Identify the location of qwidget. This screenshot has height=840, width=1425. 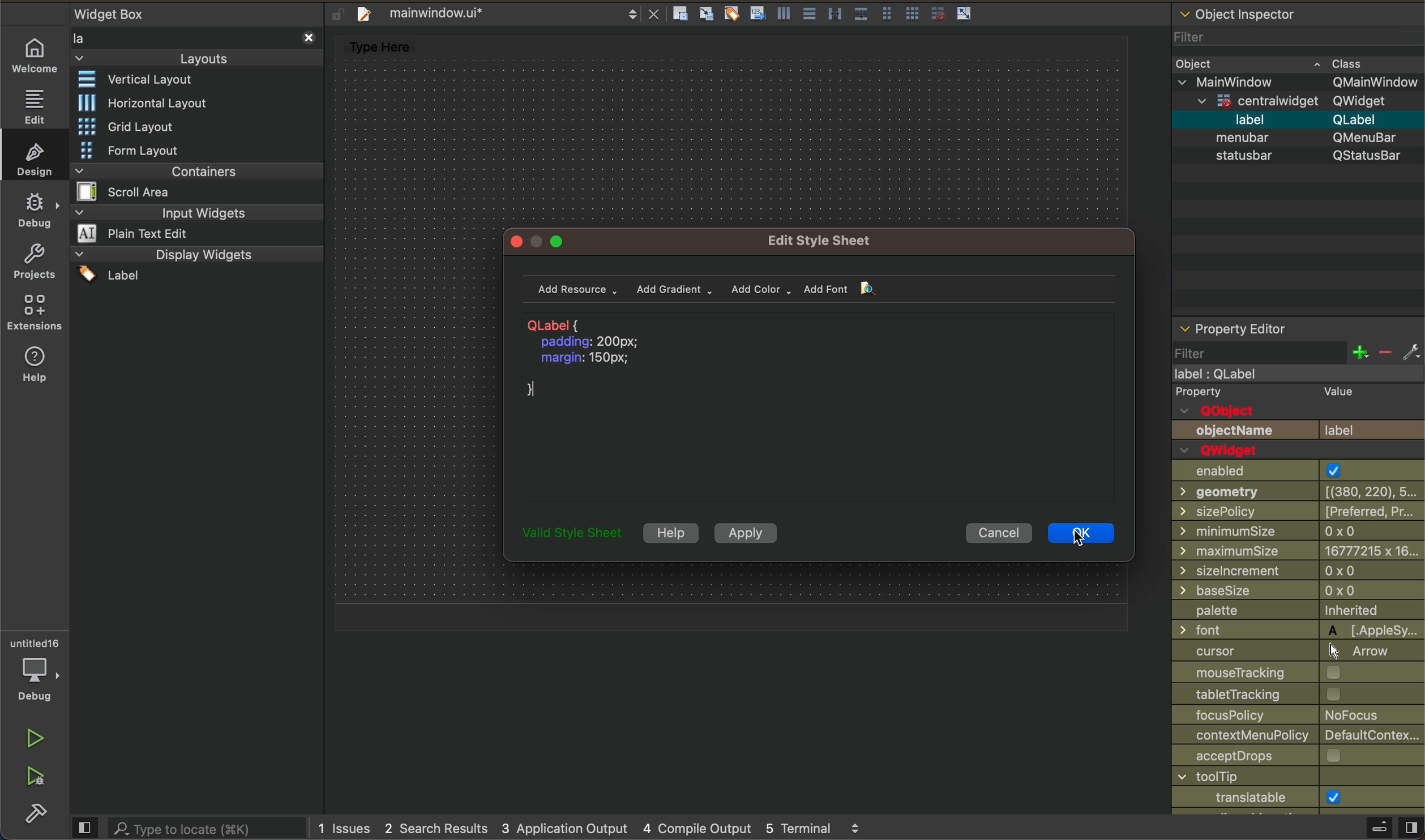
(1230, 451).